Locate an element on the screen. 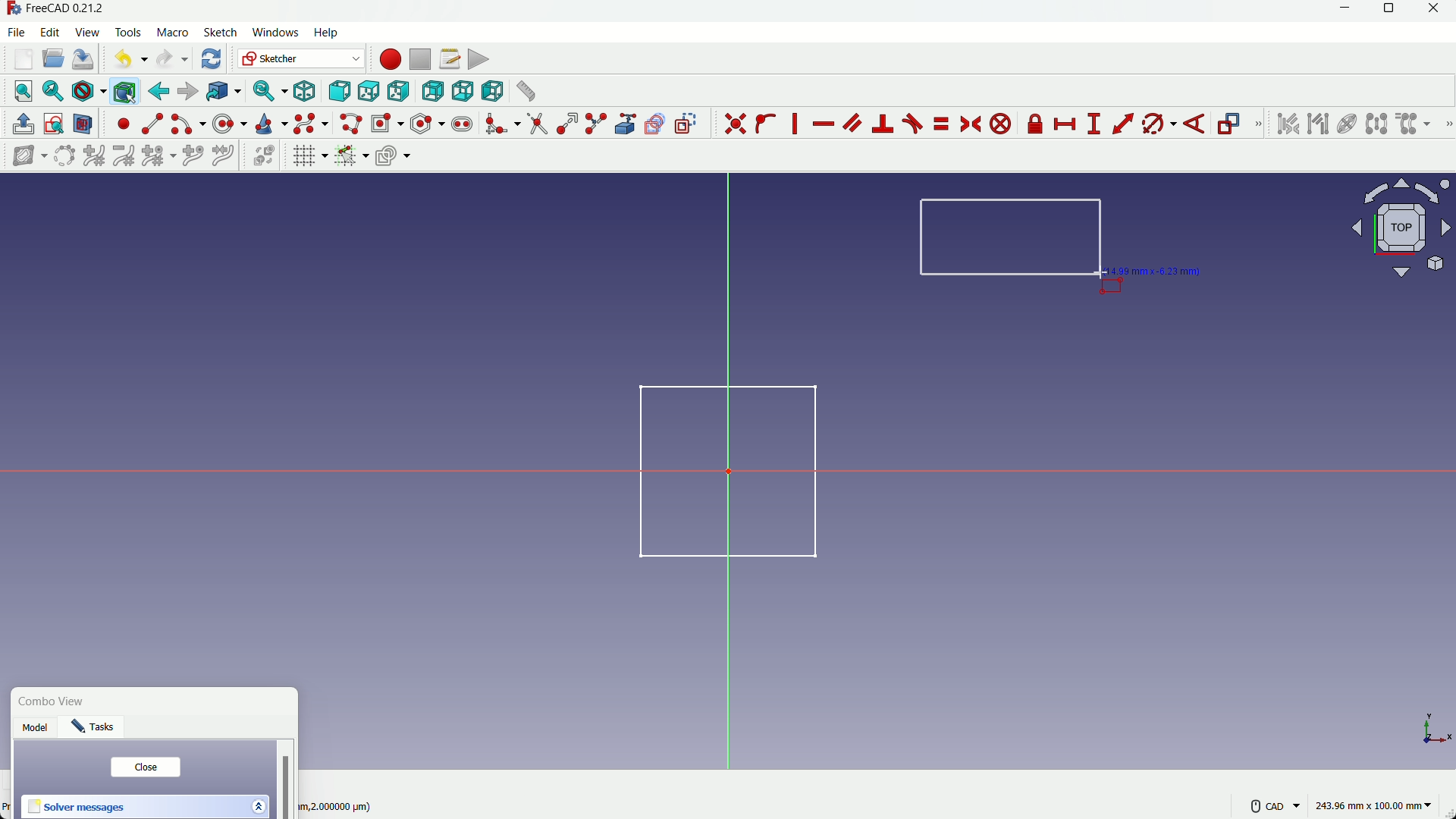 The height and width of the screenshot is (819, 1456). toggle driving/ reference constraint is located at coordinates (1232, 125).